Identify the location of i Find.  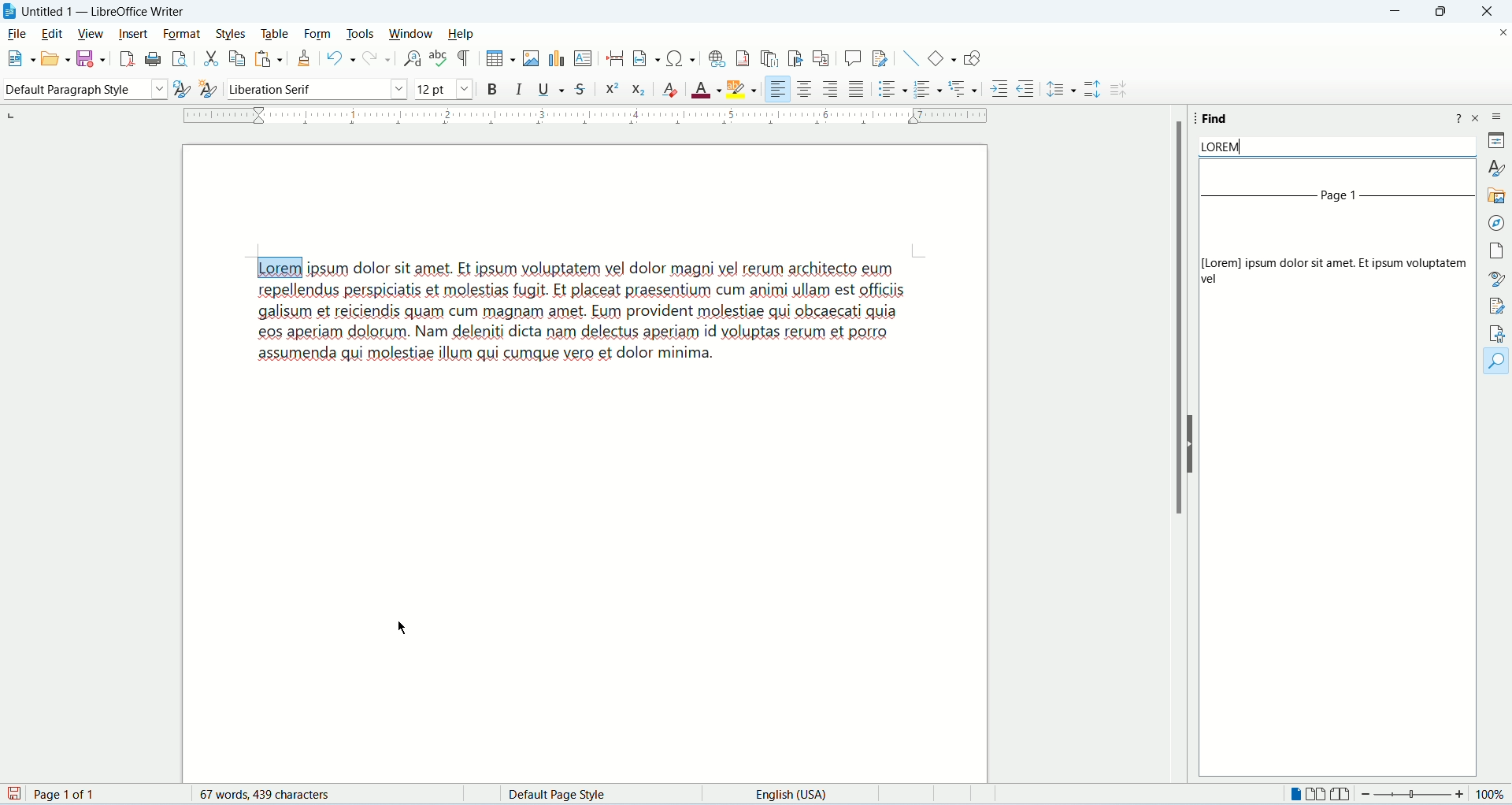
(1215, 115).